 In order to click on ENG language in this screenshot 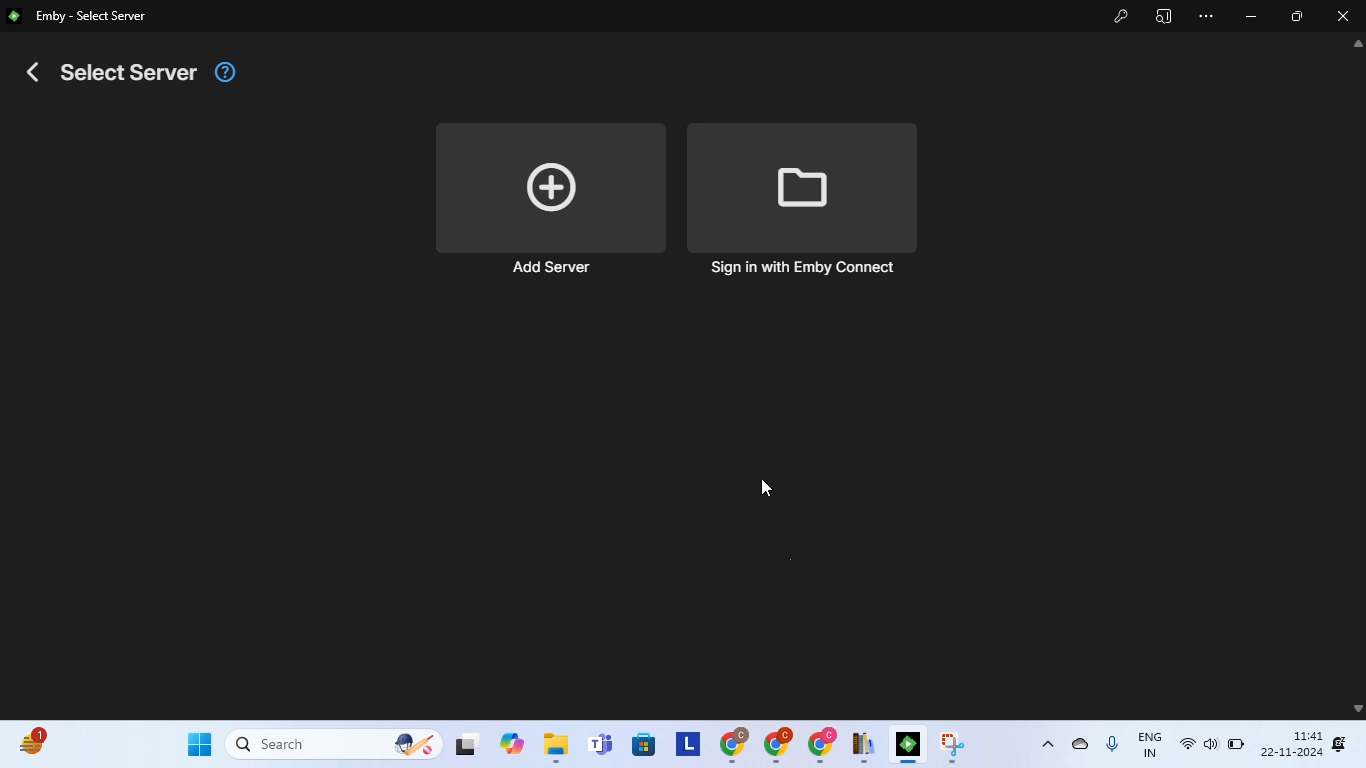, I will do `click(1153, 744)`.